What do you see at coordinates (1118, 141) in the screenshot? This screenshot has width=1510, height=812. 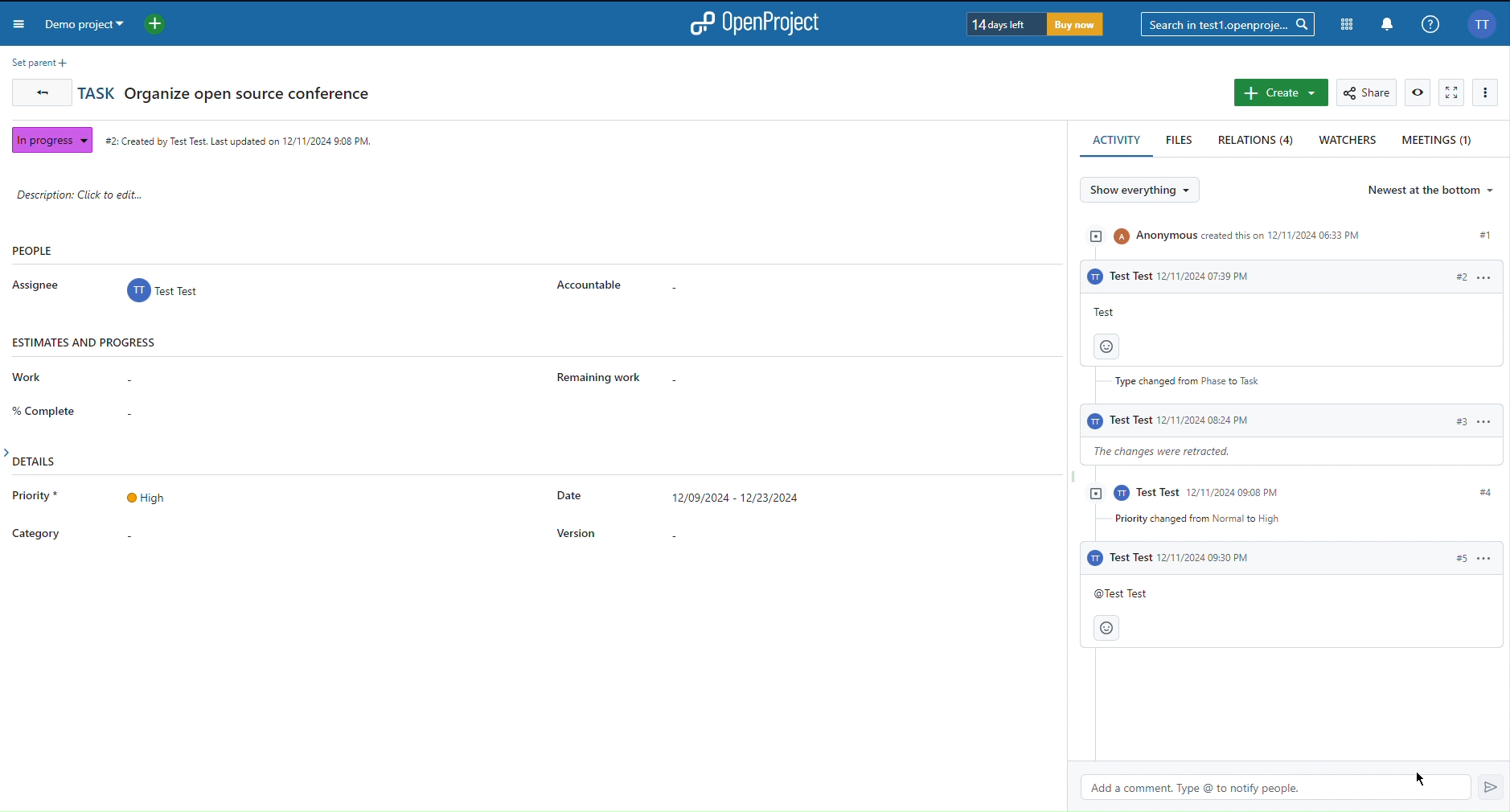 I see `Activity` at bounding box center [1118, 141].